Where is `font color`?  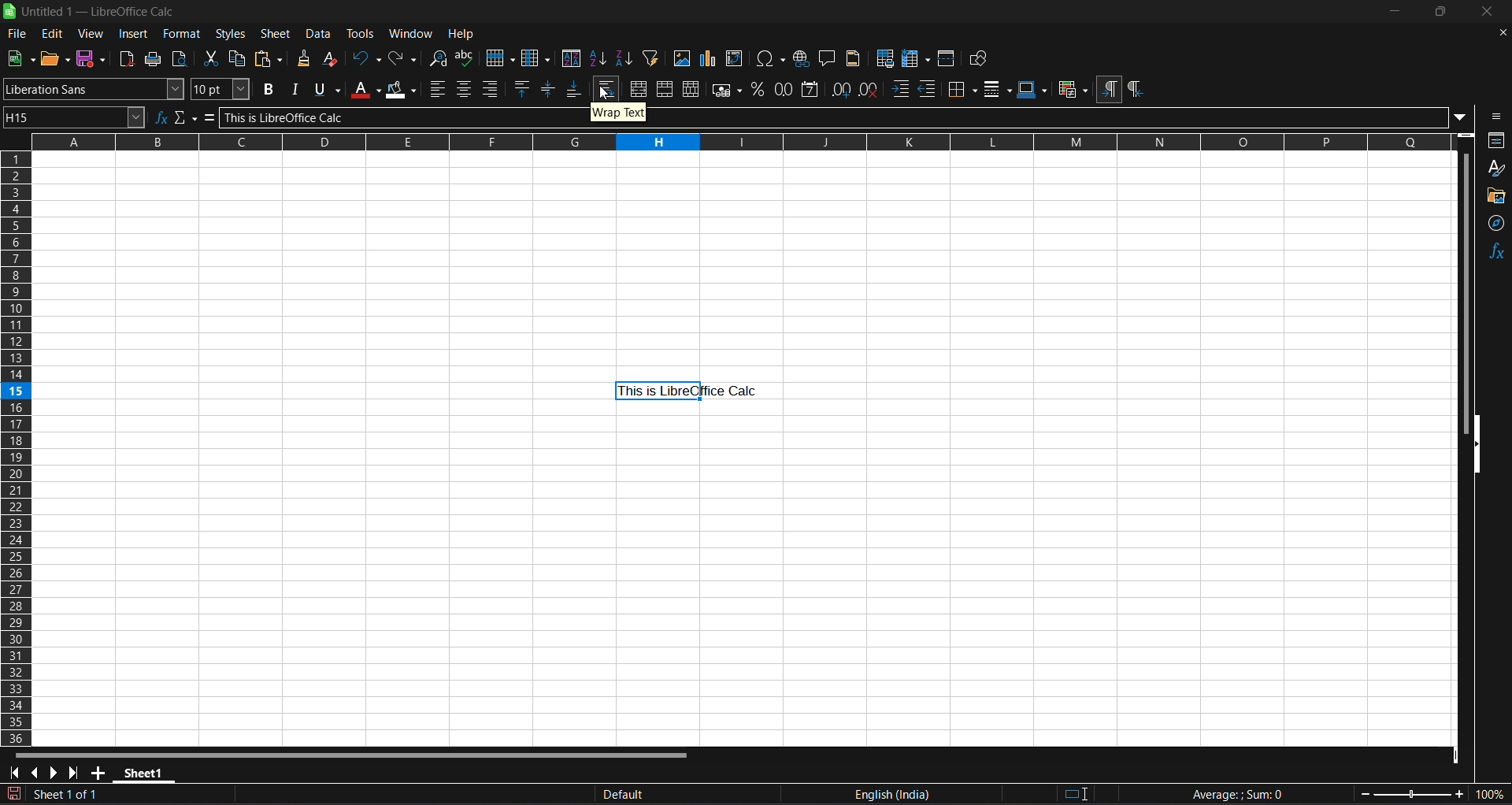
font color is located at coordinates (365, 88).